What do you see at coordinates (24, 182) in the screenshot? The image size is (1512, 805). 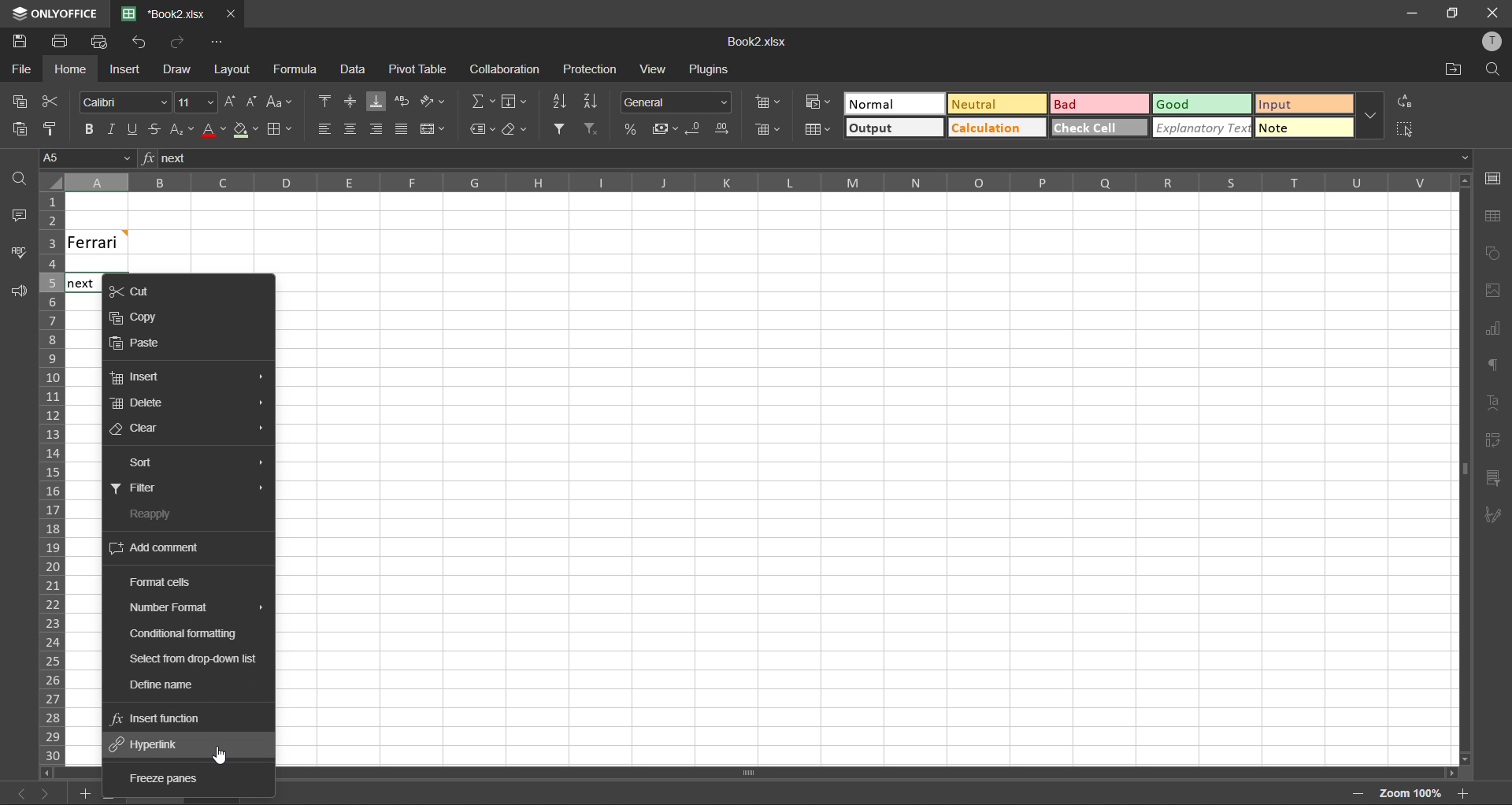 I see `find` at bounding box center [24, 182].